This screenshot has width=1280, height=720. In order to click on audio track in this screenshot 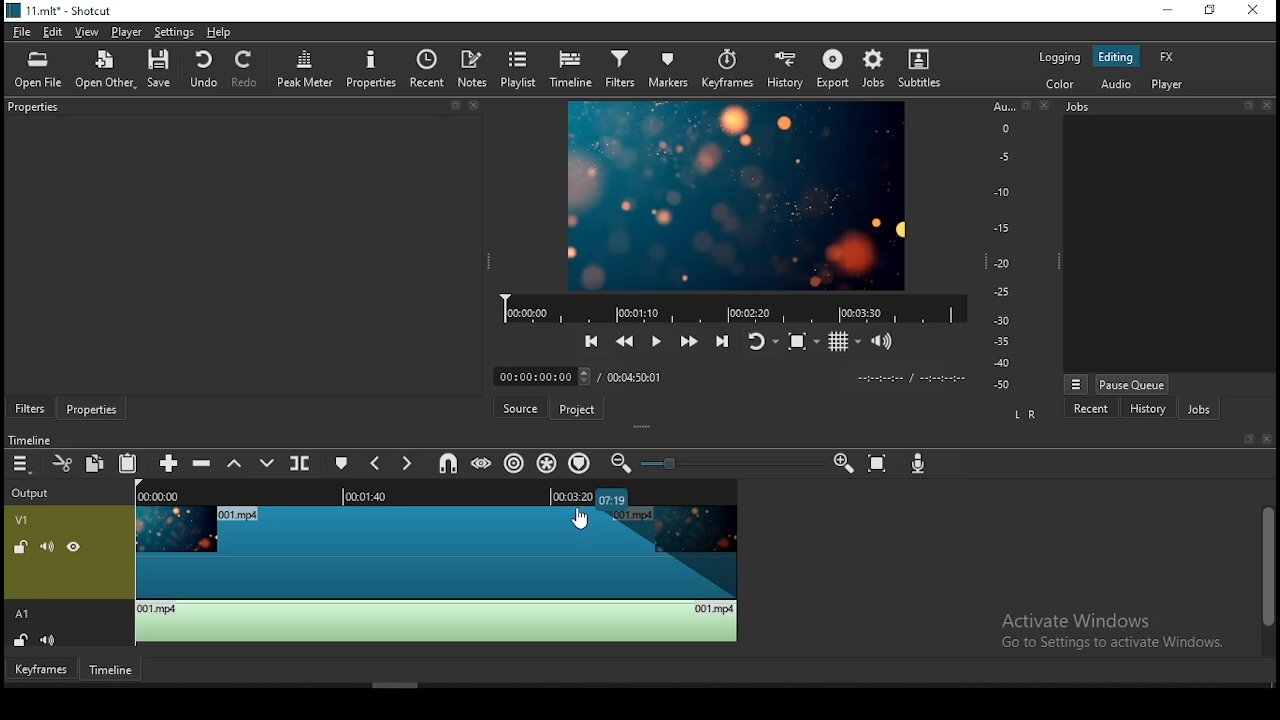, I will do `click(377, 624)`.